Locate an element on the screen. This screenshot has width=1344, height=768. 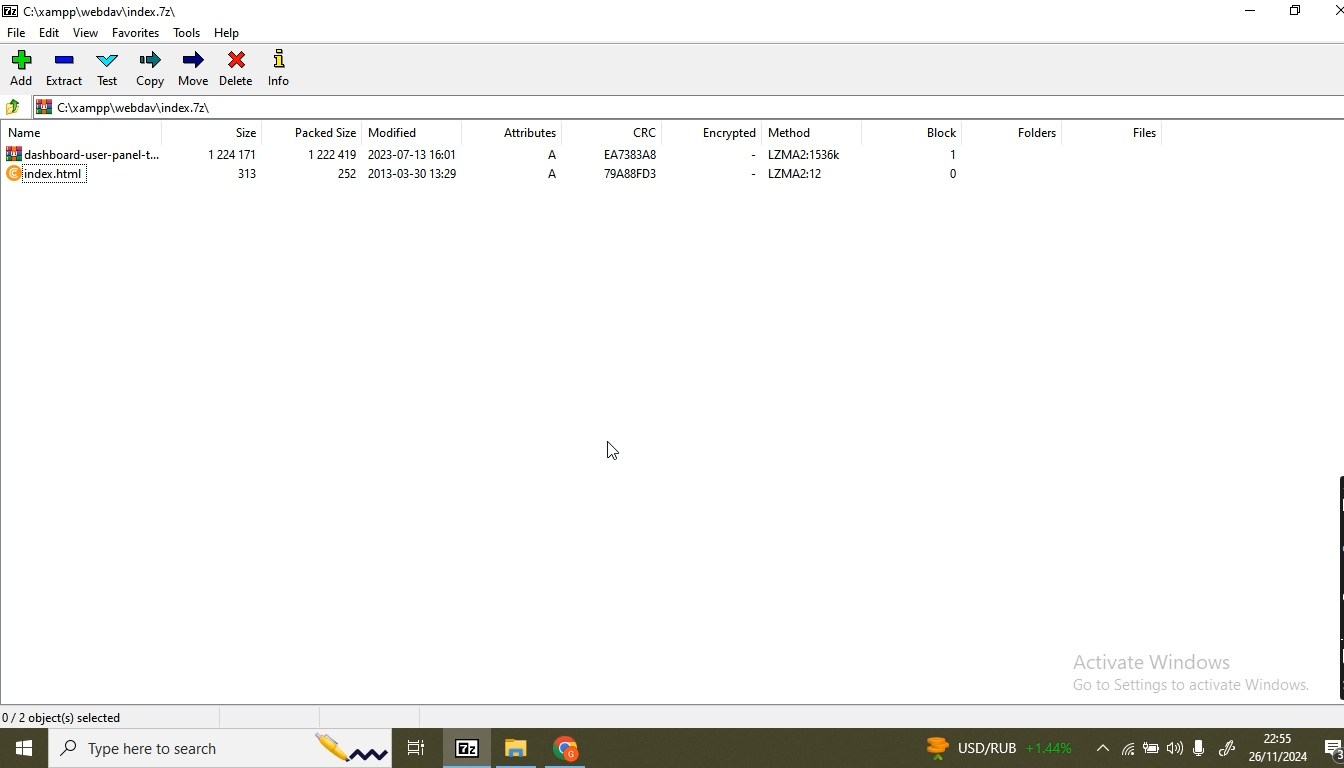
edit is located at coordinates (54, 33).